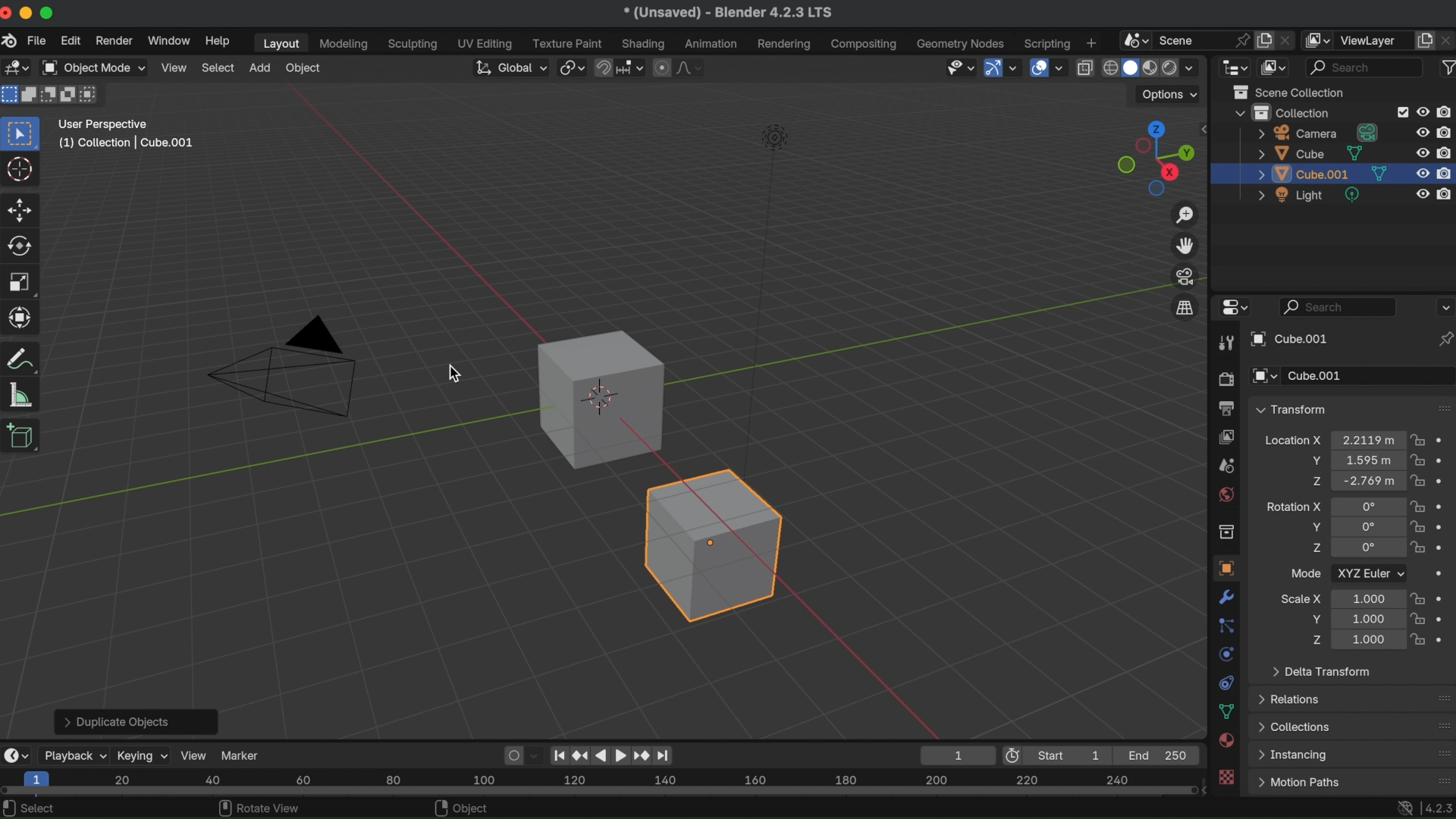 This screenshot has height=819, width=1456. Describe the element at coordinates (604, 66) in the screenshot. I see `snap` at that location.